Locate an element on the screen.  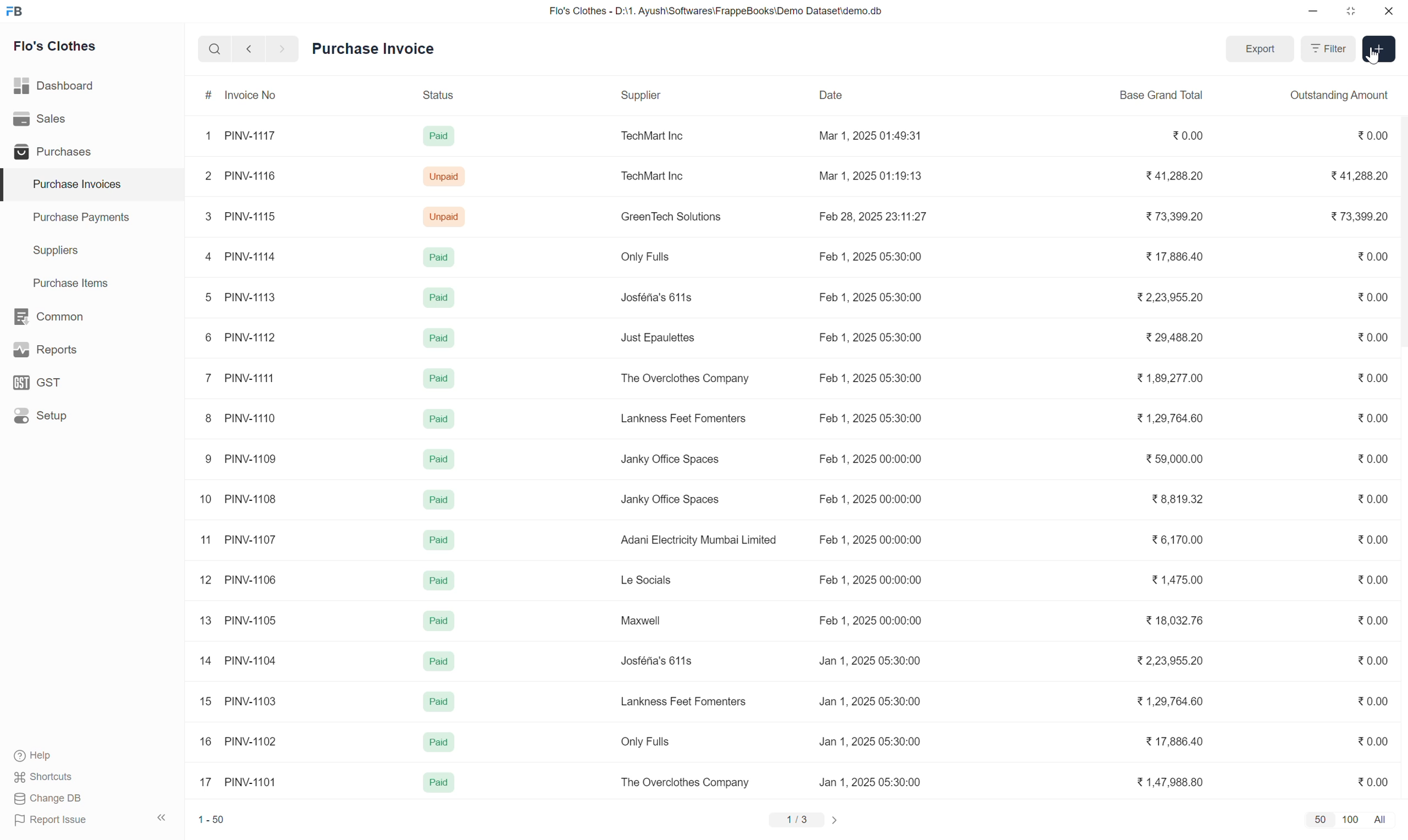
Just Epaulettes is located at coordinates (658, 338).